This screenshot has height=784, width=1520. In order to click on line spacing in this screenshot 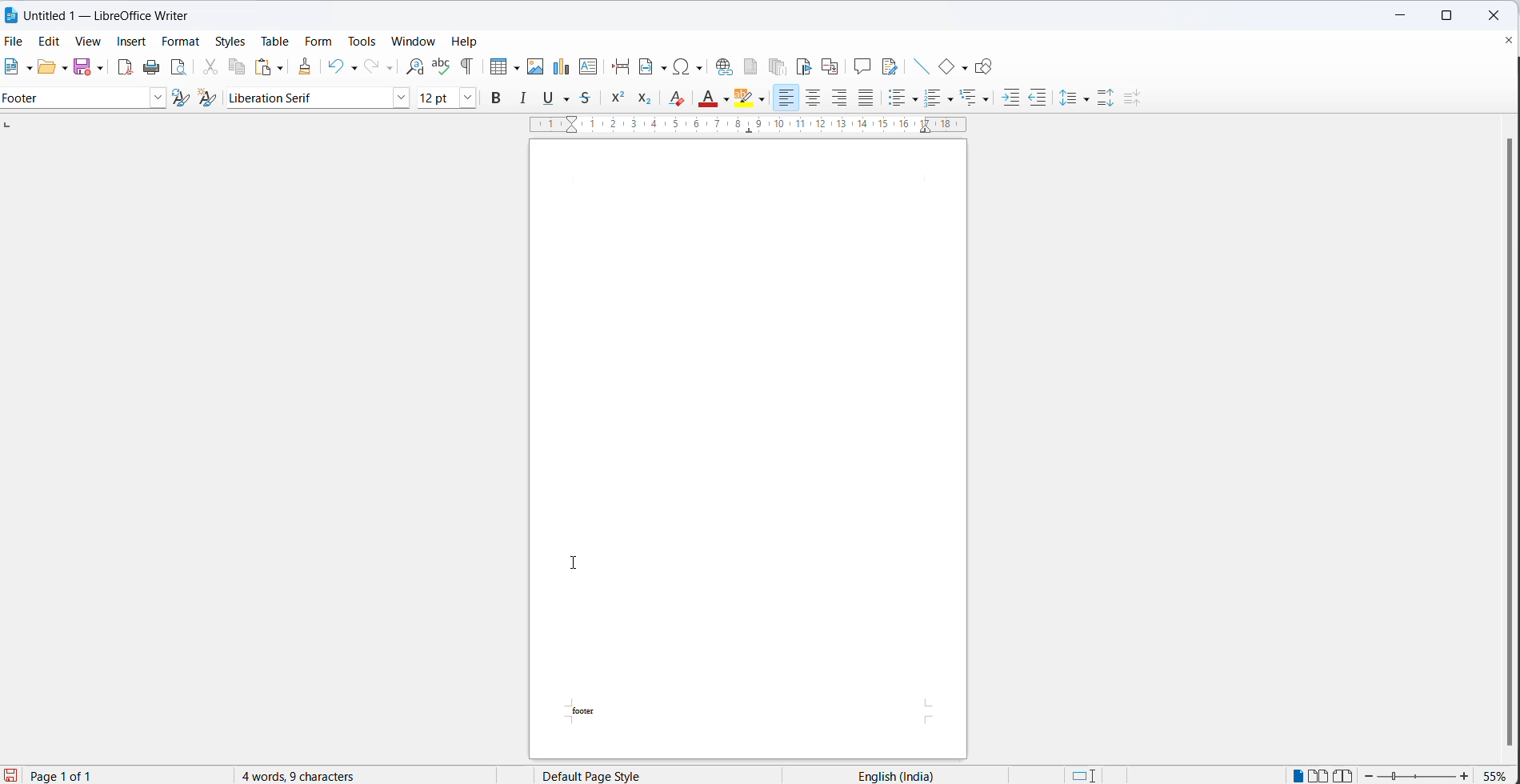, I will do `click(1068, 94)`.